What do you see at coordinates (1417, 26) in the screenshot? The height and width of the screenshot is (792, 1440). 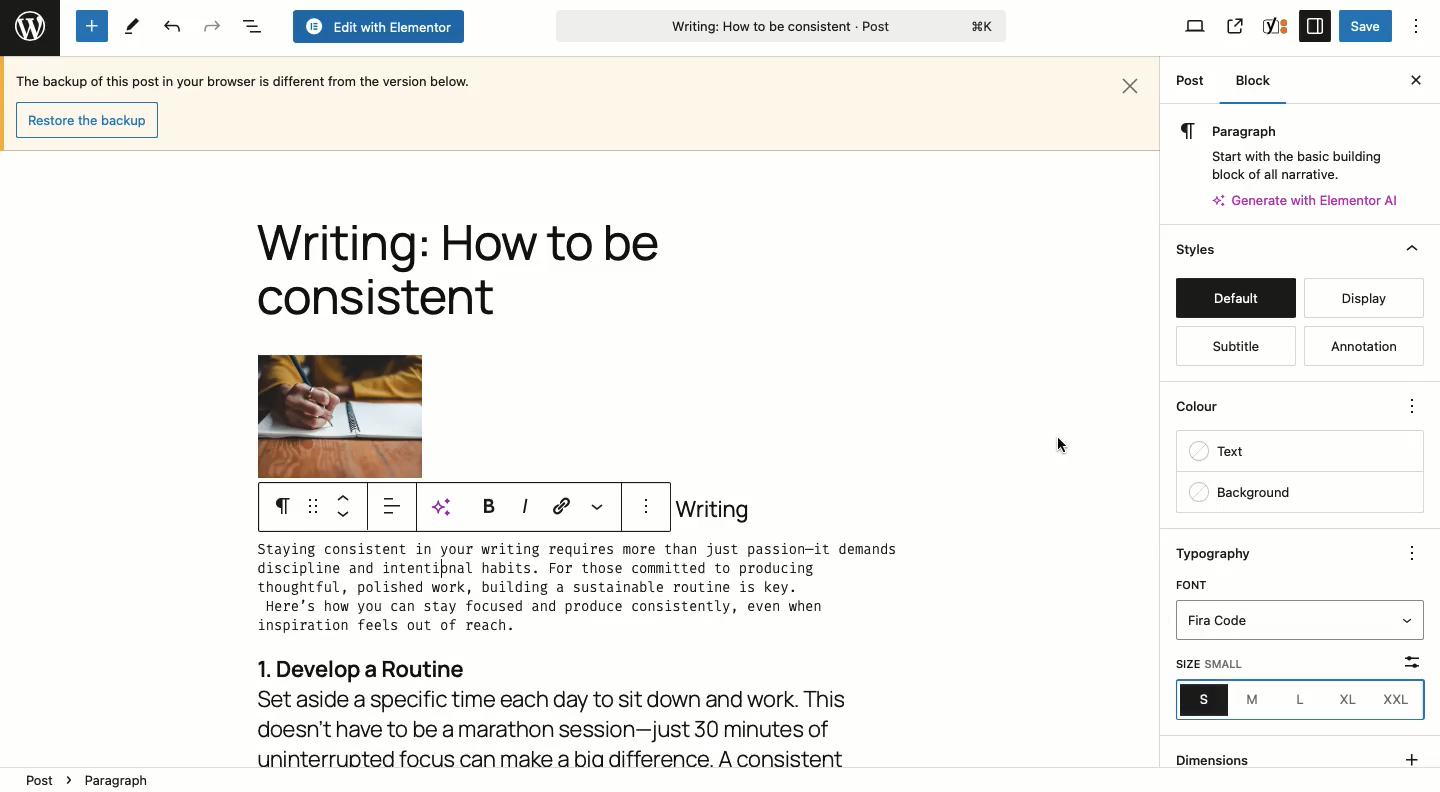 I see `Options` at bounding box center [1417, 26].